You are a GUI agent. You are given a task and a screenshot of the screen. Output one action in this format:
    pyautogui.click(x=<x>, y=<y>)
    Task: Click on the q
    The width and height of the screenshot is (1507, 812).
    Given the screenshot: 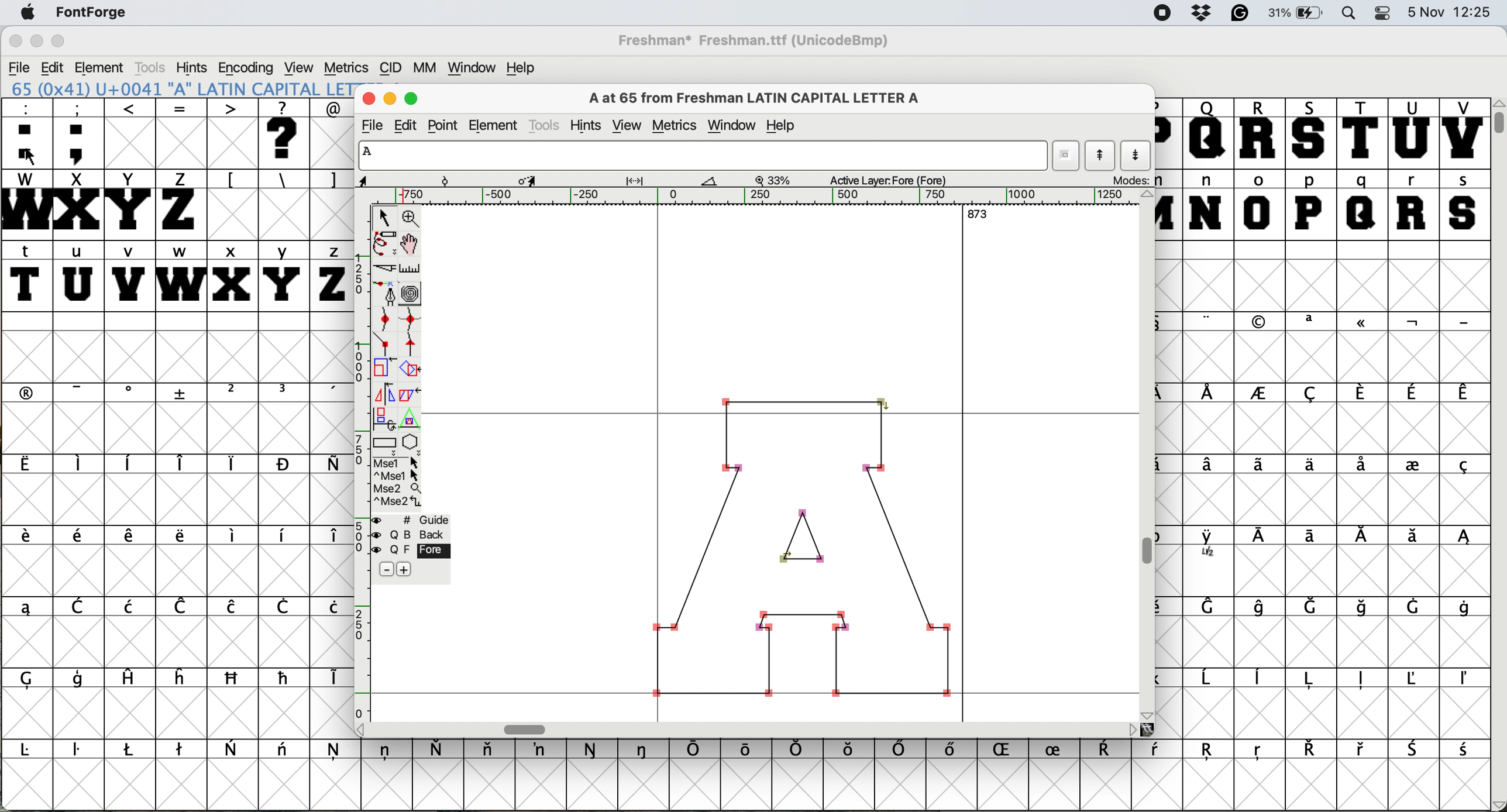 What is the action you would take?
    pyautogui.click(x=1363, y=205)
    